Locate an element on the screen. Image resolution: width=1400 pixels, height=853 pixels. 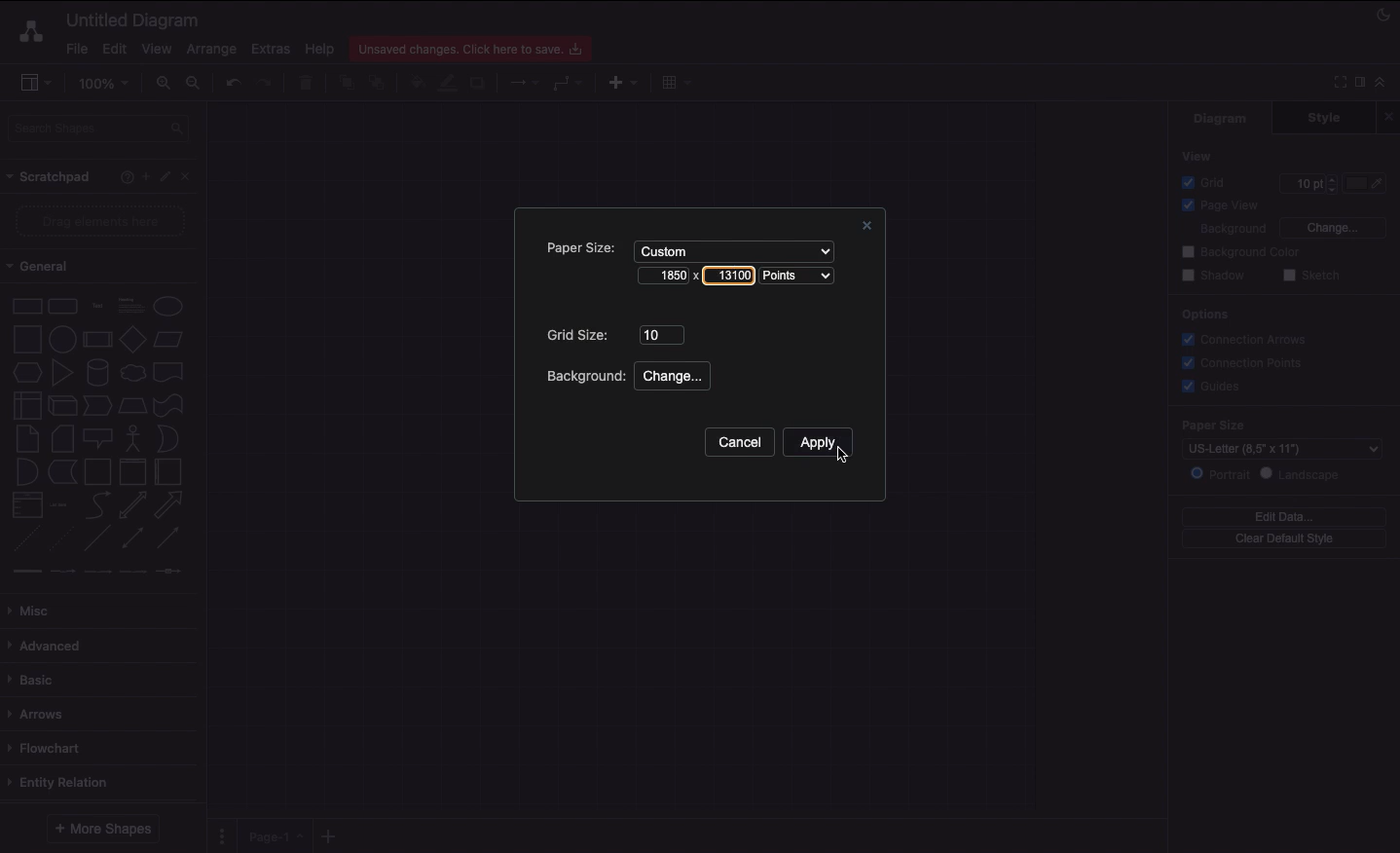
Document is located at coordinates (169, 372).